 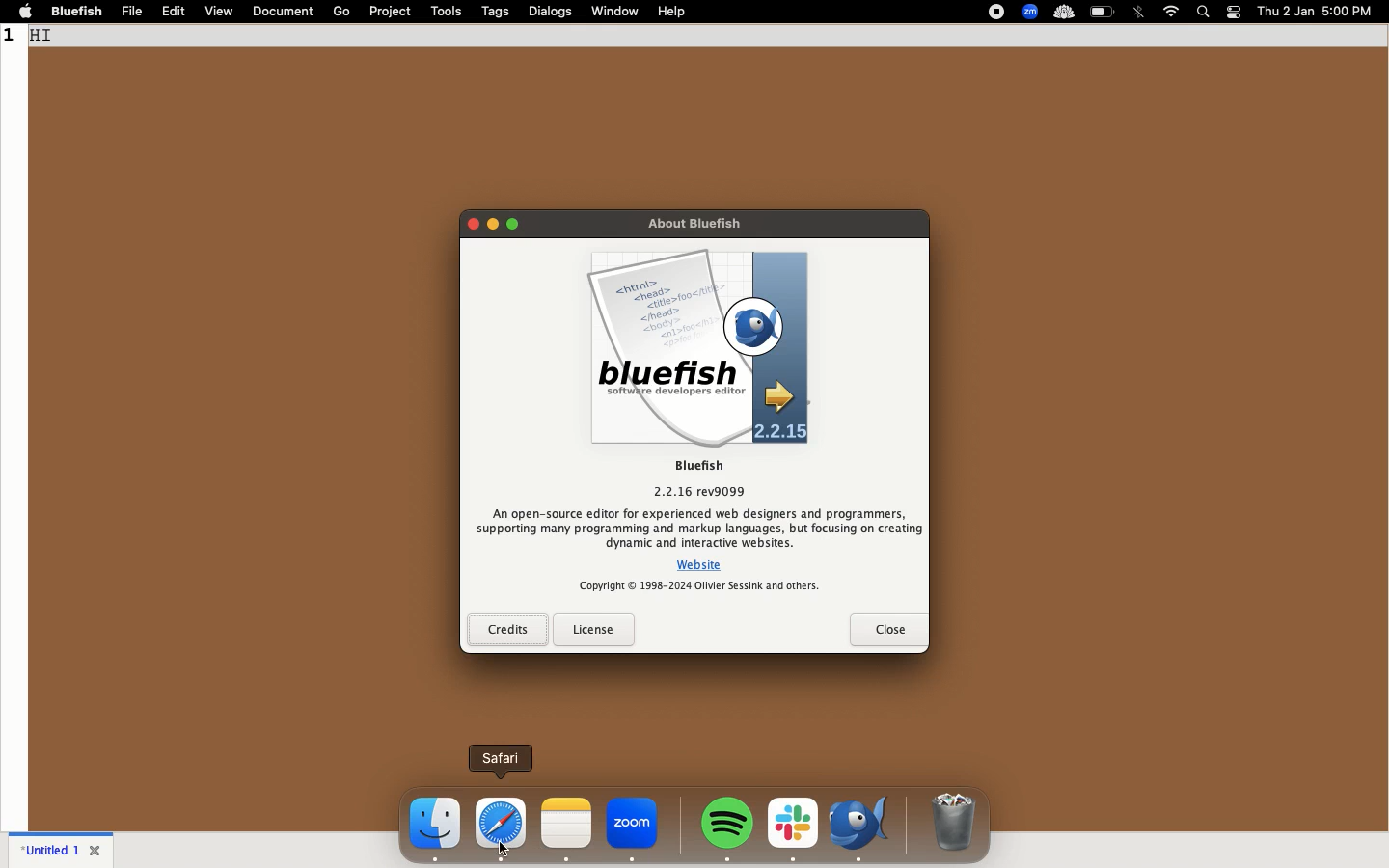 I want to click on slack, so click(x=794, y=827).